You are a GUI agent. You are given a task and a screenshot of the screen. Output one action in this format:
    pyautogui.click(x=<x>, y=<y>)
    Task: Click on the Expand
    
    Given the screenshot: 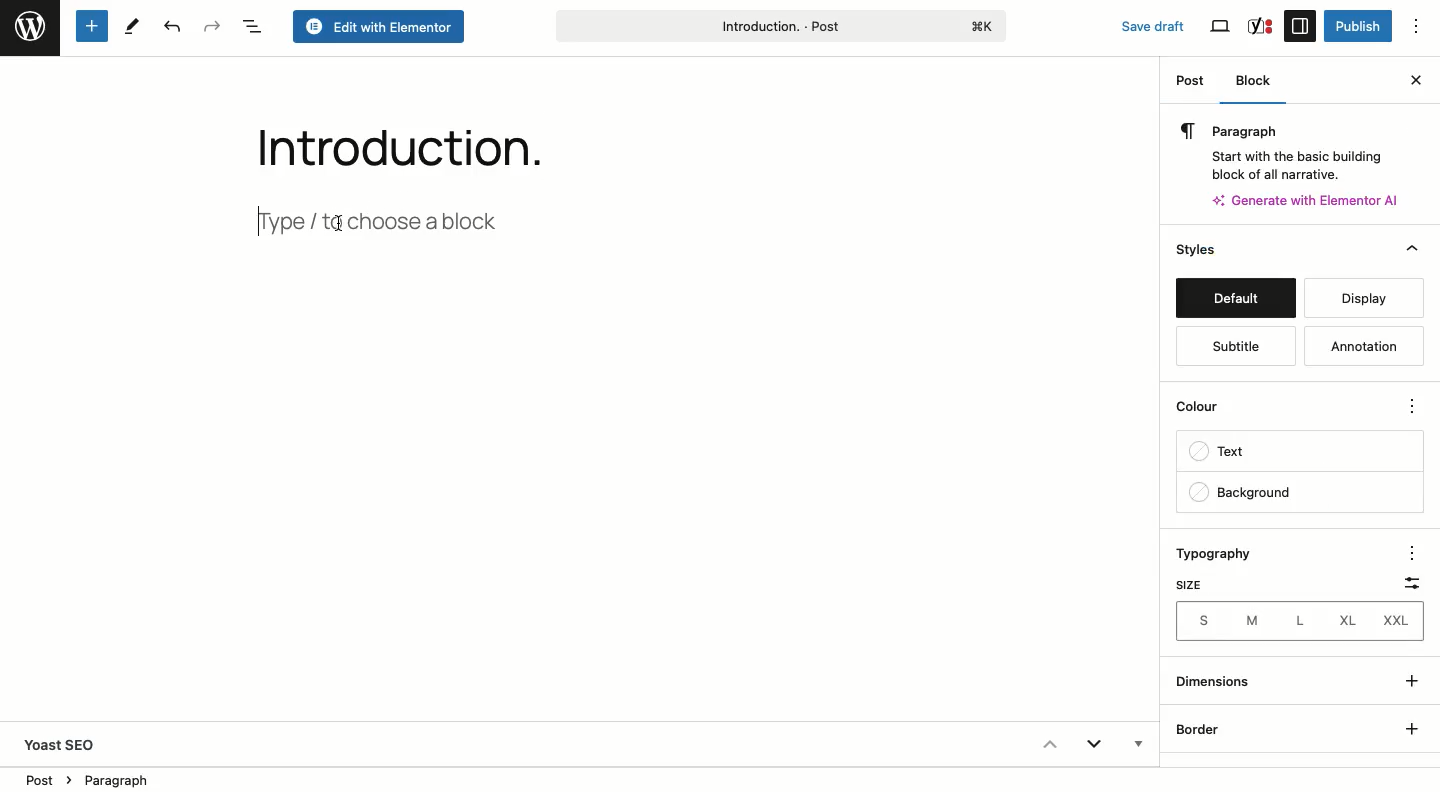 What is the action you would take?
    pyautogui.click(x=1094, y=747)
    